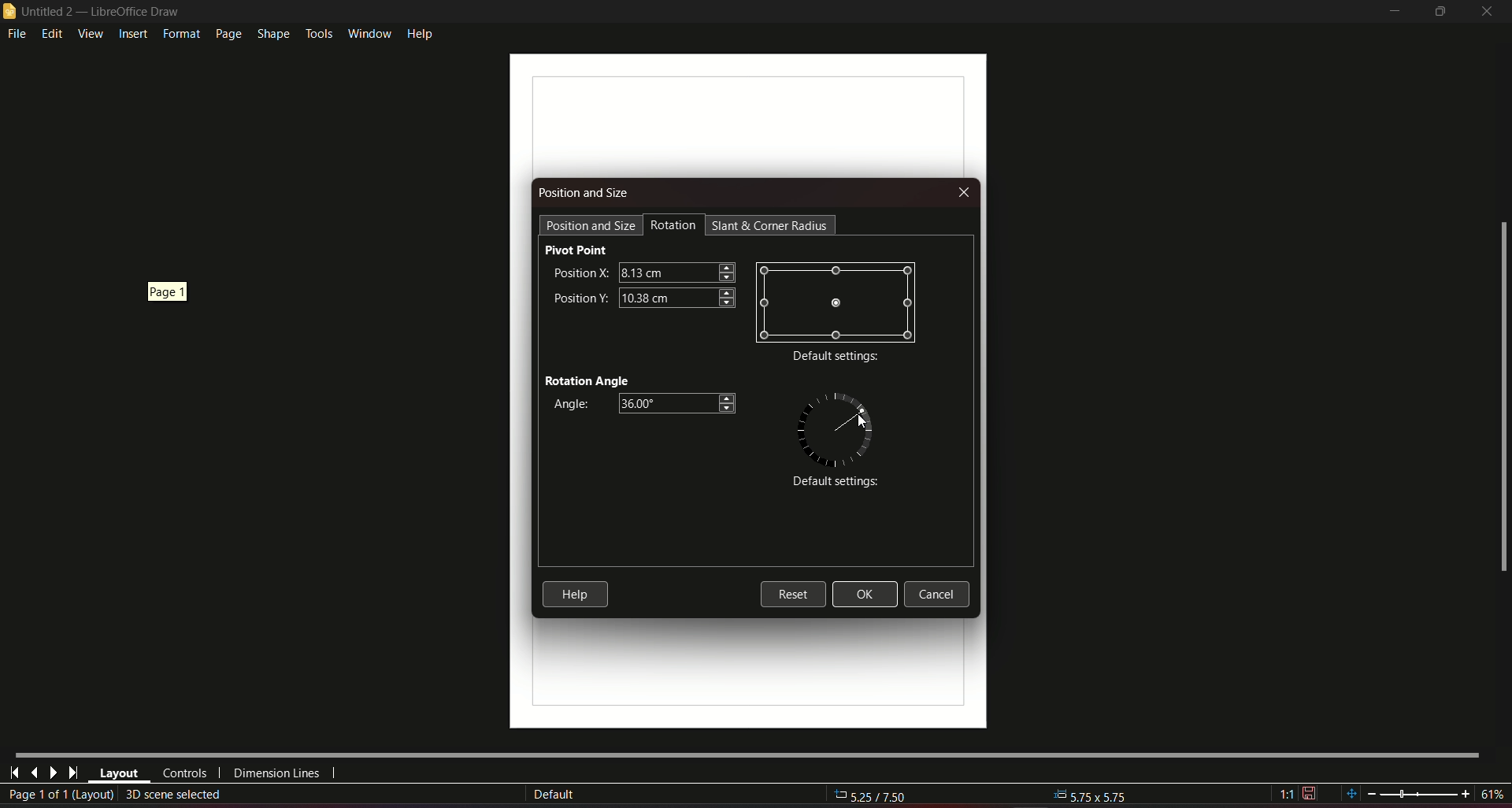  Describe the element at coordinates (368, 31) in the screenshot. I see `window` at that location.